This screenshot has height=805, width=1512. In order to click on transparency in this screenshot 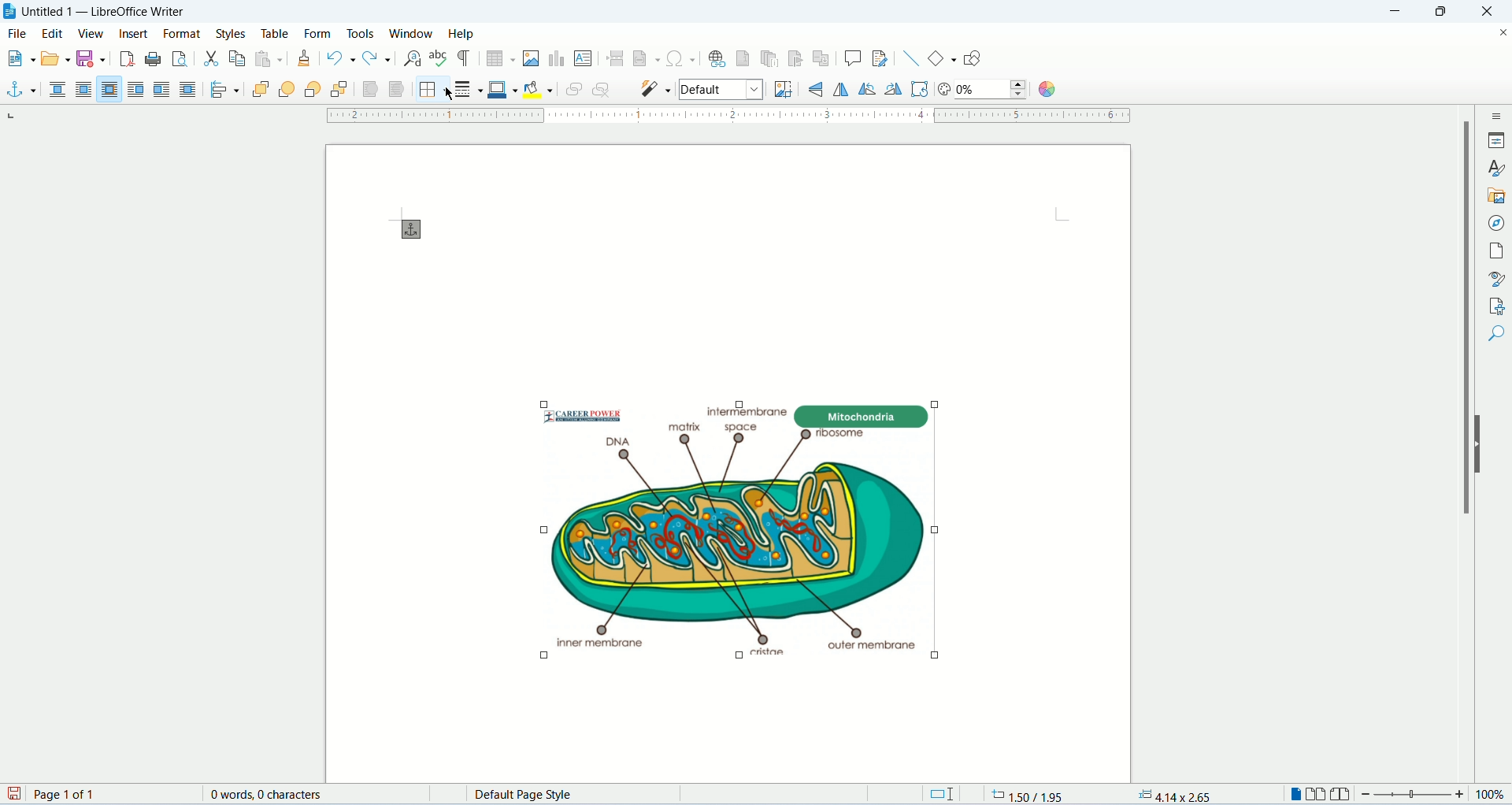, I will do `click(944, 91)`.